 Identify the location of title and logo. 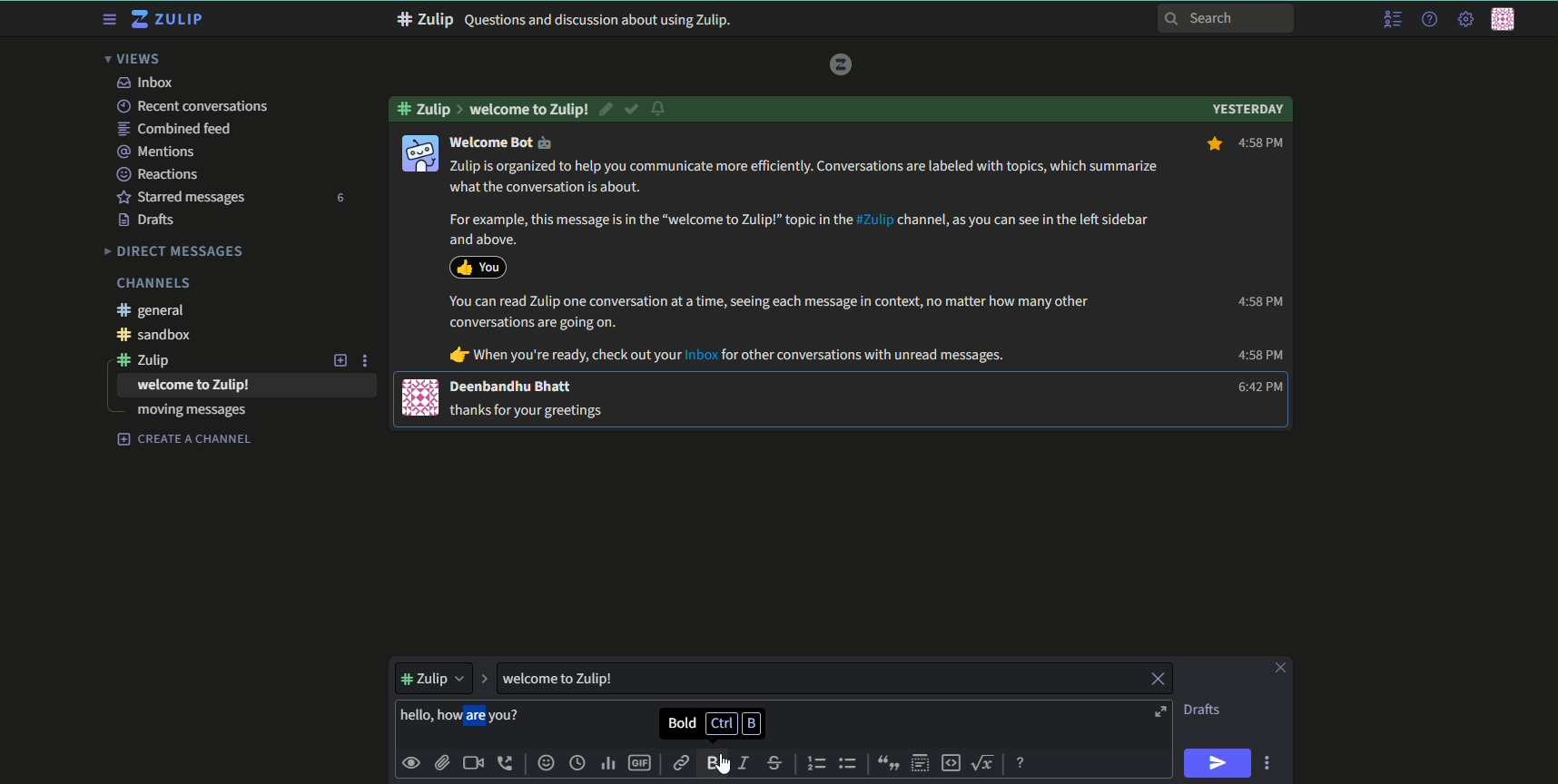
(170, 20).